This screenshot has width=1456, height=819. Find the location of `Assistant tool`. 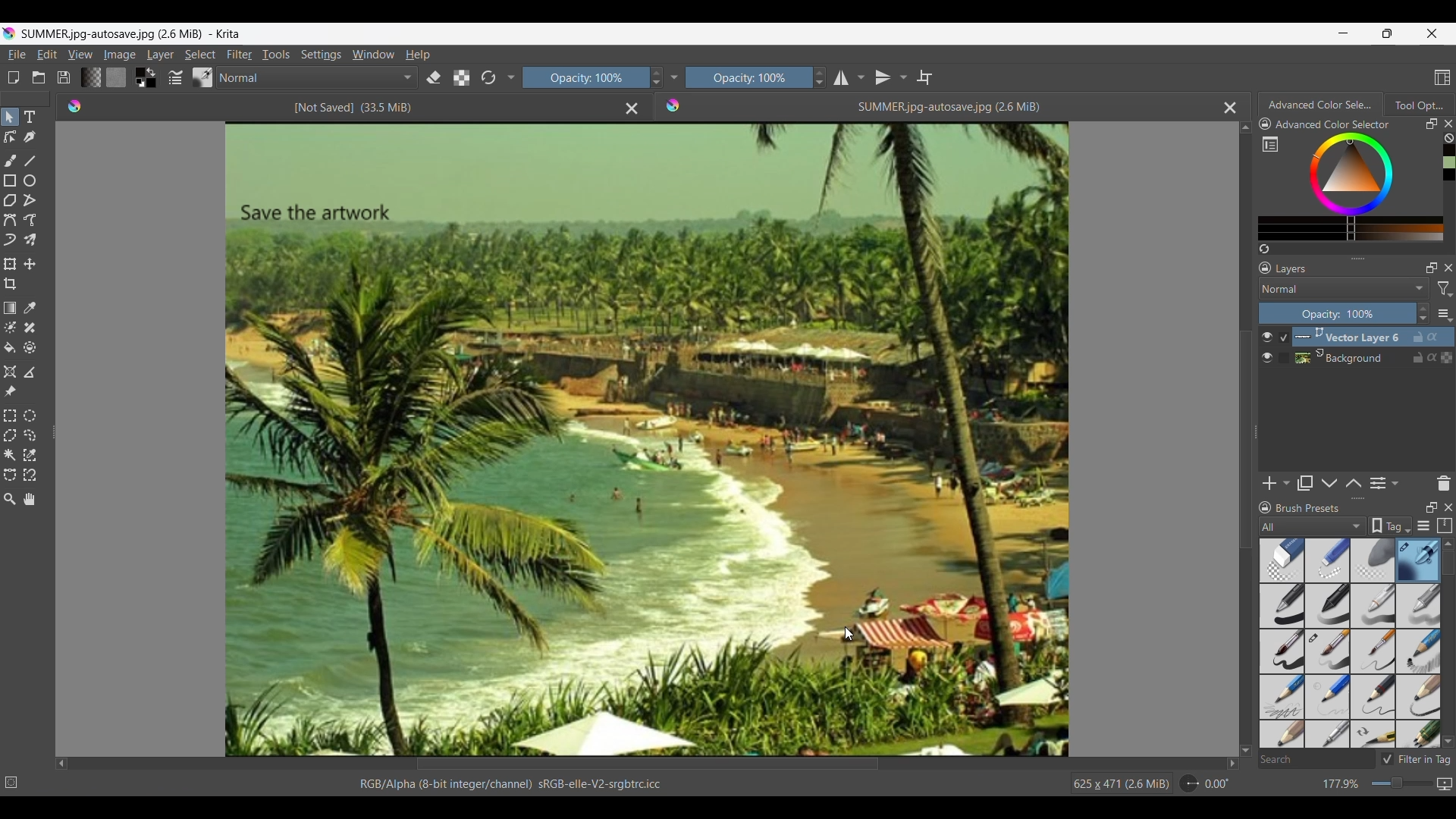

Assistant tool is located at coordinates (11, 372).